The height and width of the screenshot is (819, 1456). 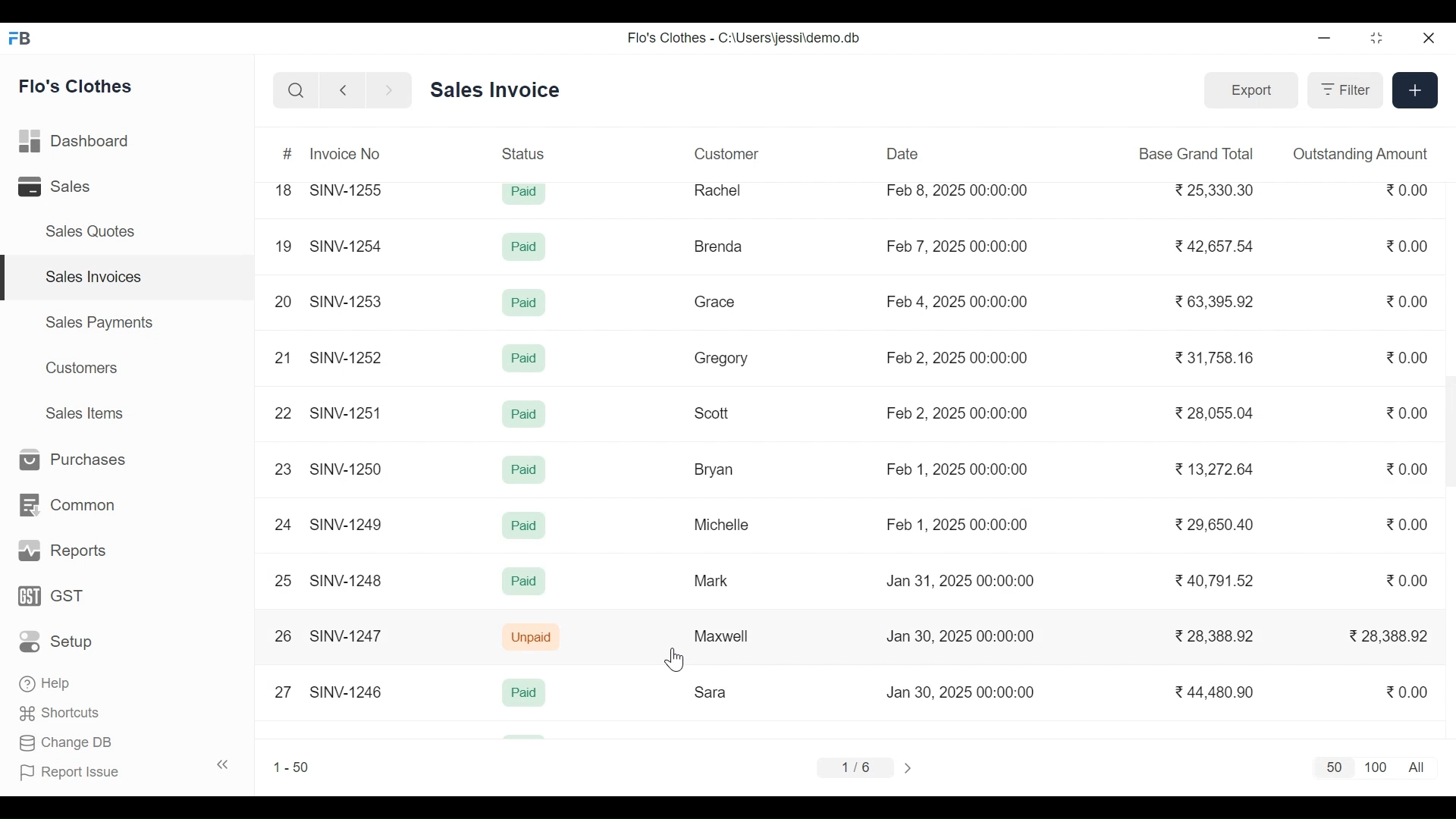 I want to click on 1-50, so click(x=291, y=767).